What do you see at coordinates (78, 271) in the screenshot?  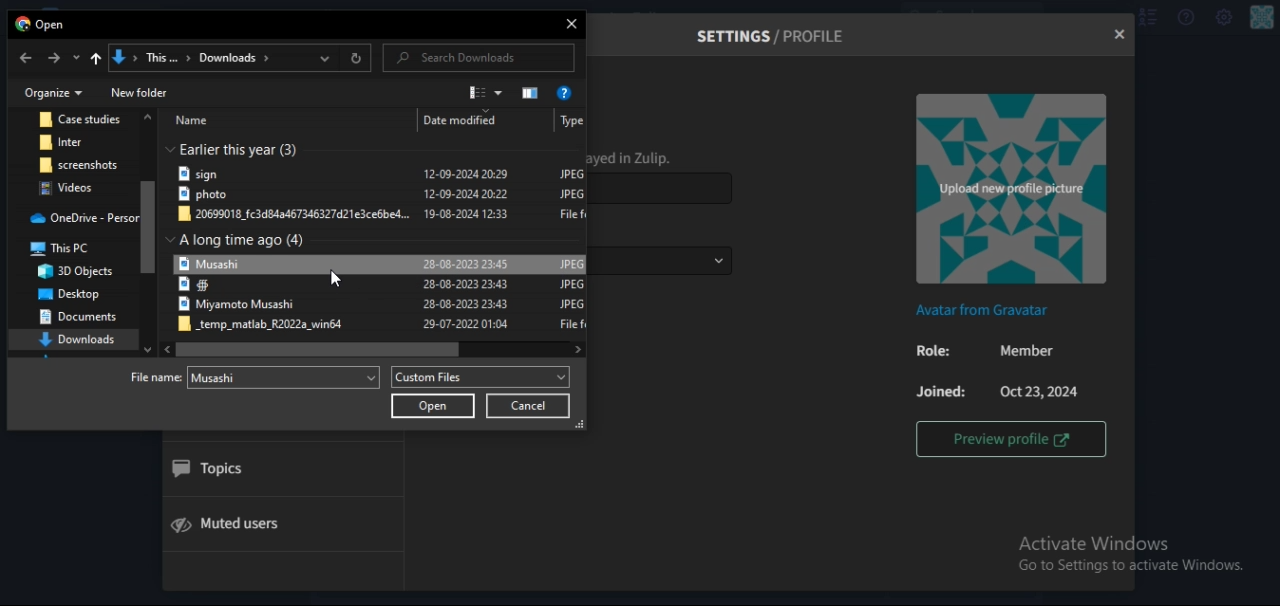 I see `3d objects` at bounding box center [78, 271].